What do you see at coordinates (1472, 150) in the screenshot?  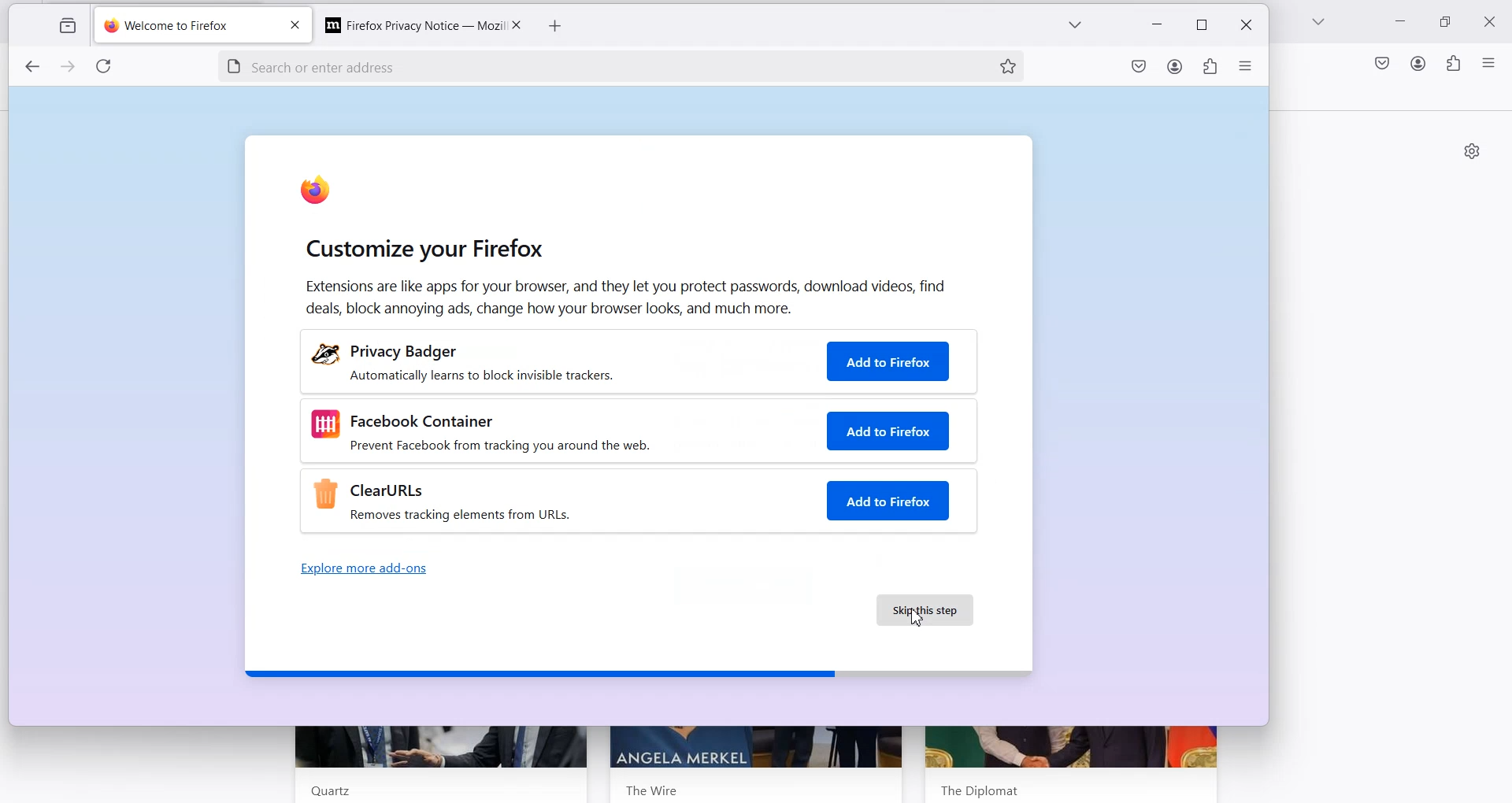 I see `Personalize new tab ` at bounding box center [1472, 150].